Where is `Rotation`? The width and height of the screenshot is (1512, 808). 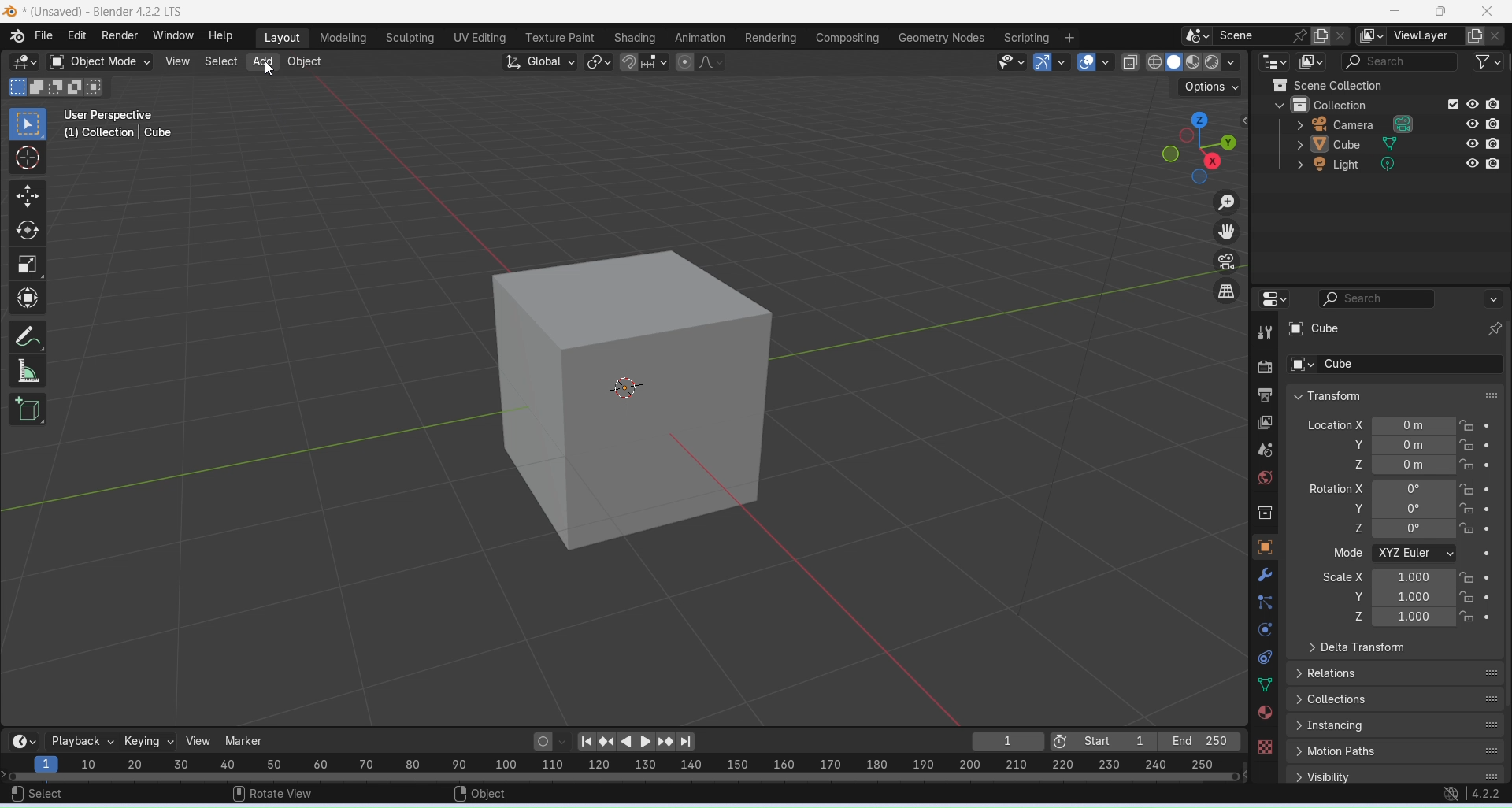
Rotation is located at coordinates (1432, 488).